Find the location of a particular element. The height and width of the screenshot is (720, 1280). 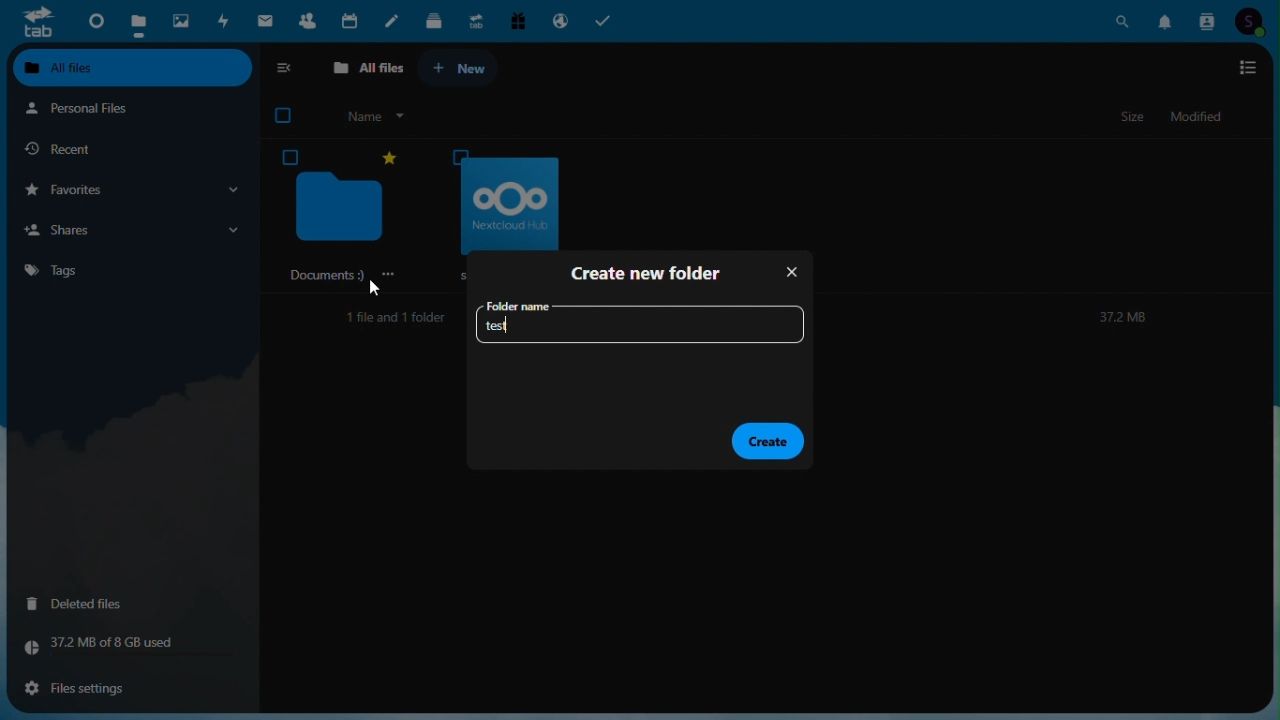

Dashboard is located at coordinates (93, 22).